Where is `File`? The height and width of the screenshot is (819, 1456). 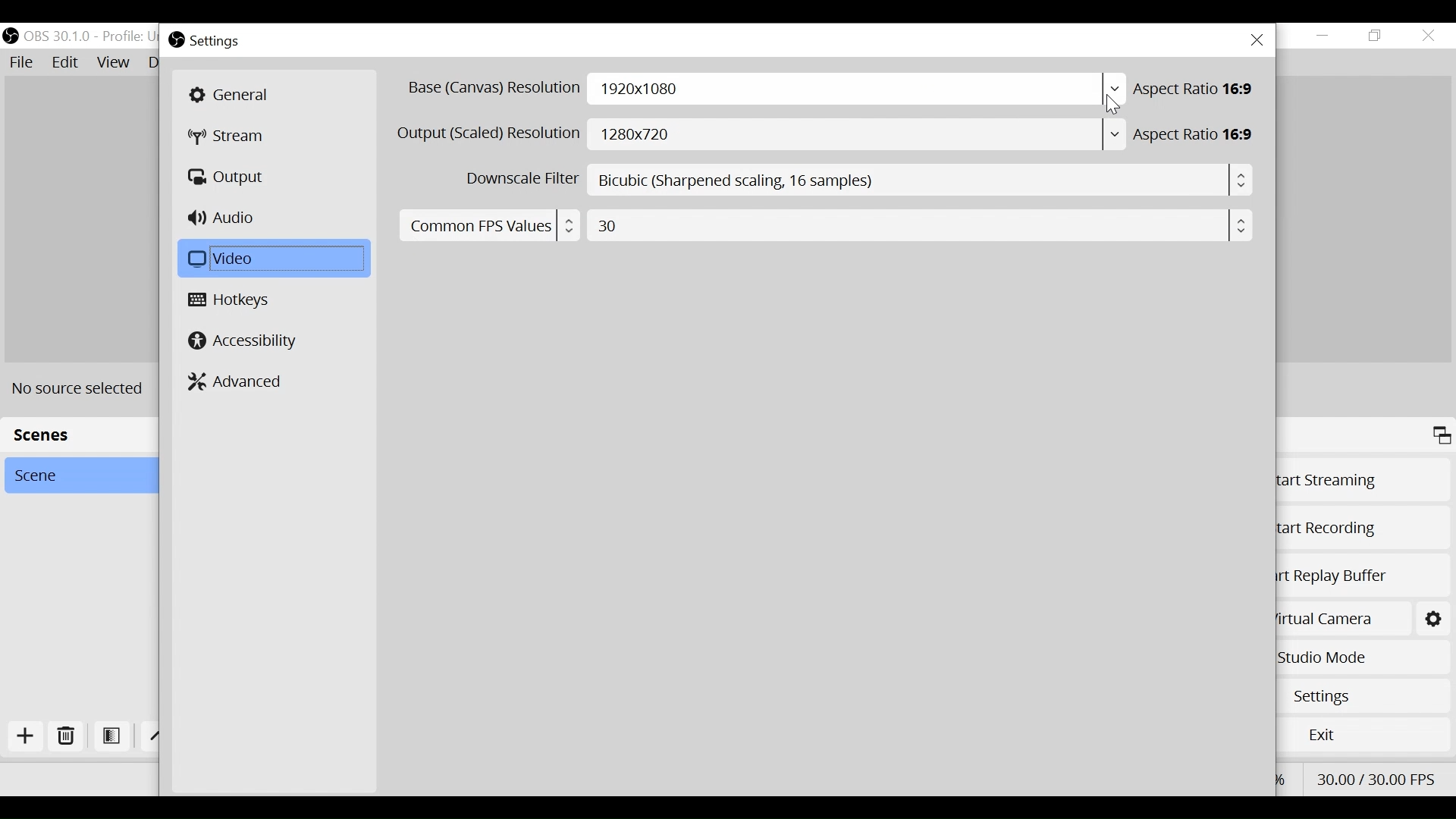 File is located at coordinates (24, 63).